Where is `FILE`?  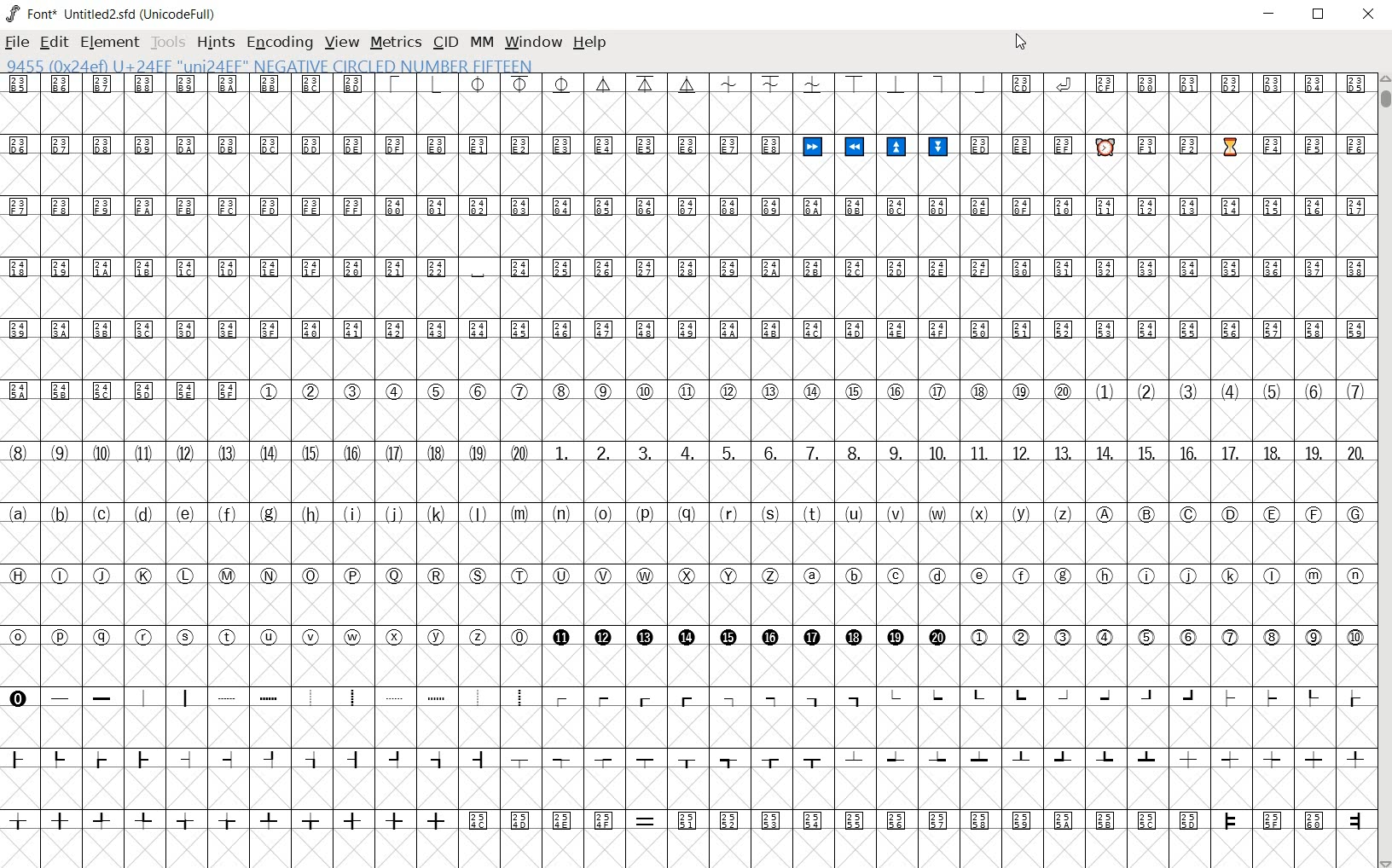
FILE is located at coordinates (17, 42).